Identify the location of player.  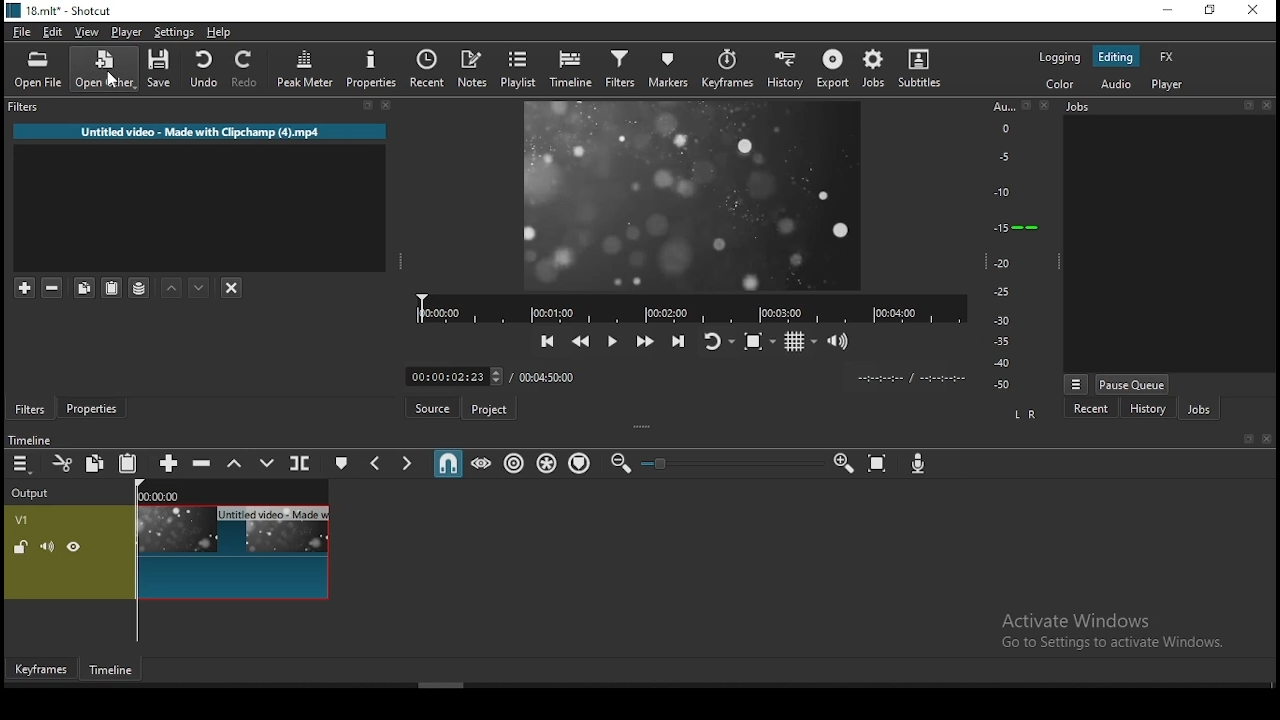
(1170, 86).